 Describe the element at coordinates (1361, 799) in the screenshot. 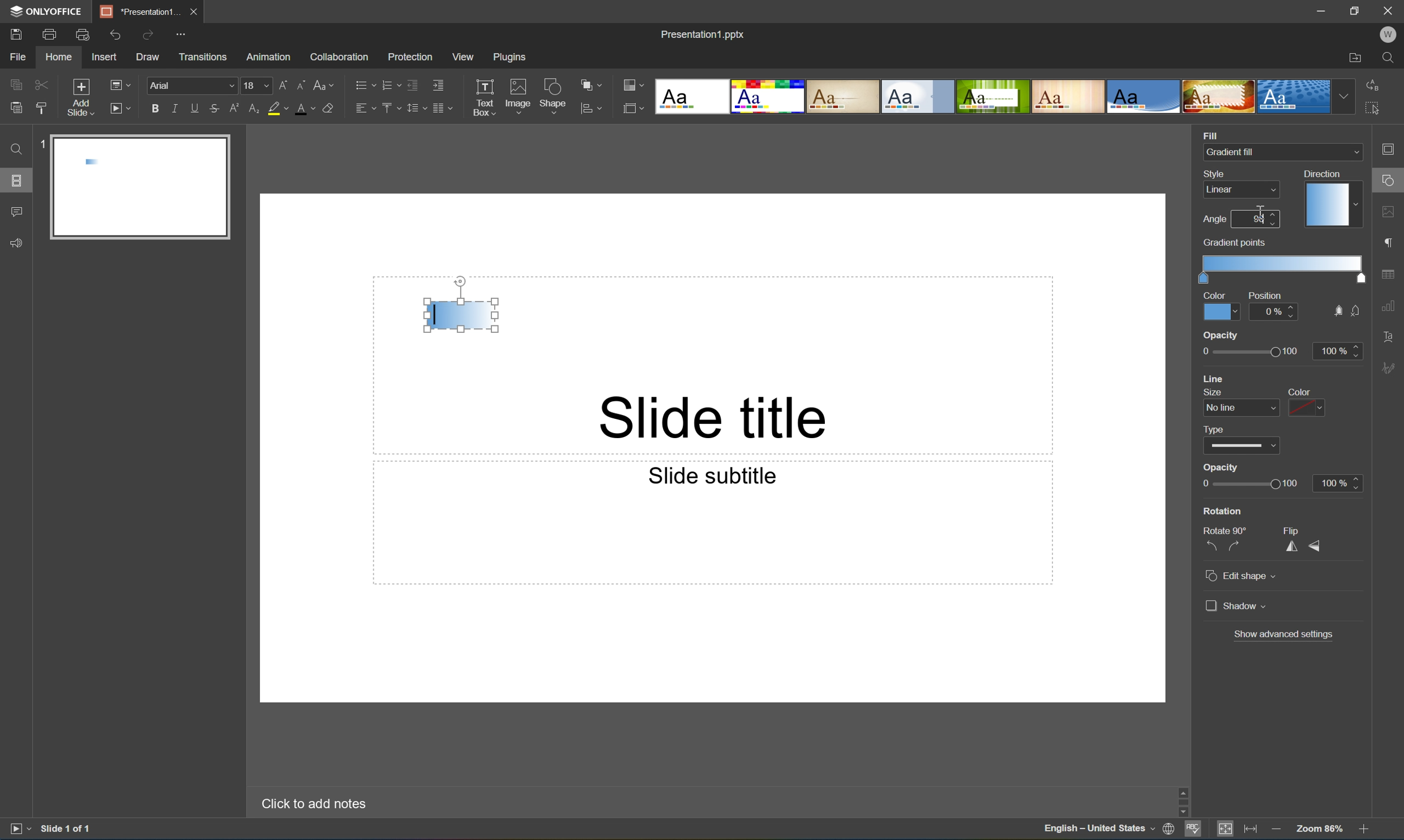

I see `Scroll Bar` at that location.